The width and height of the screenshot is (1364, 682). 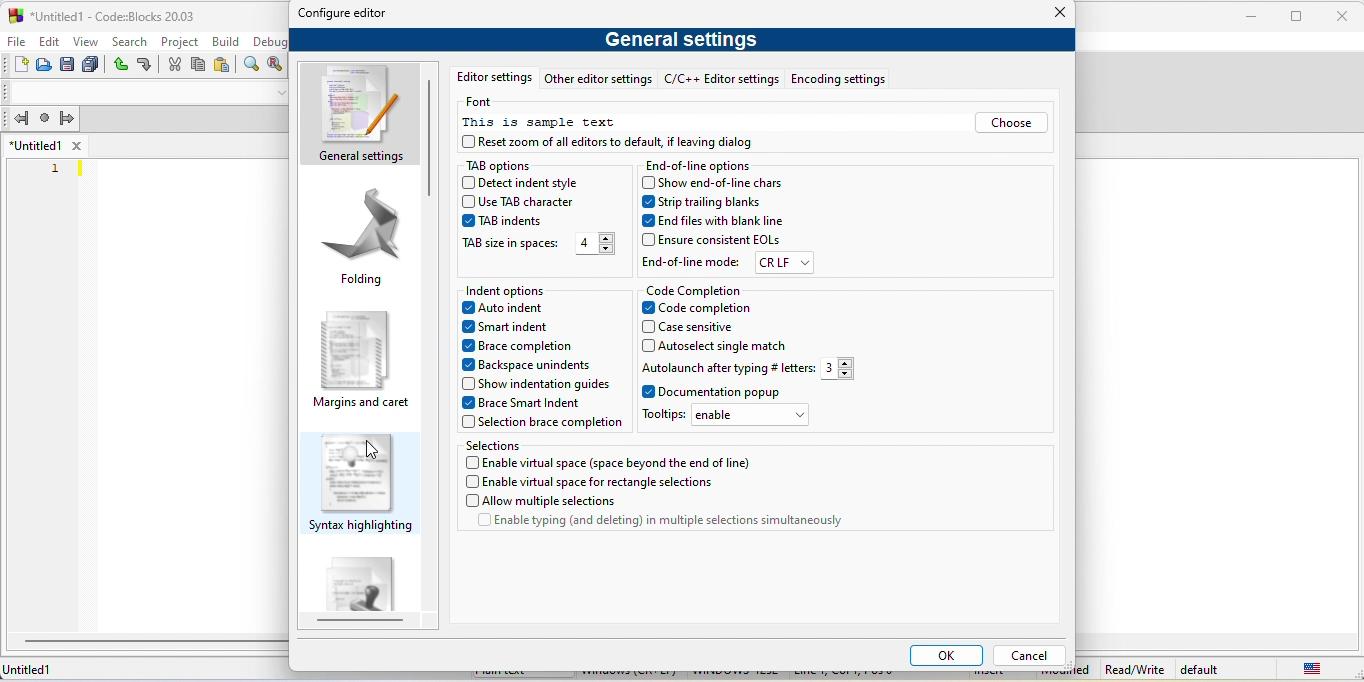 I want to click on redo, so click(x=145, y=64).